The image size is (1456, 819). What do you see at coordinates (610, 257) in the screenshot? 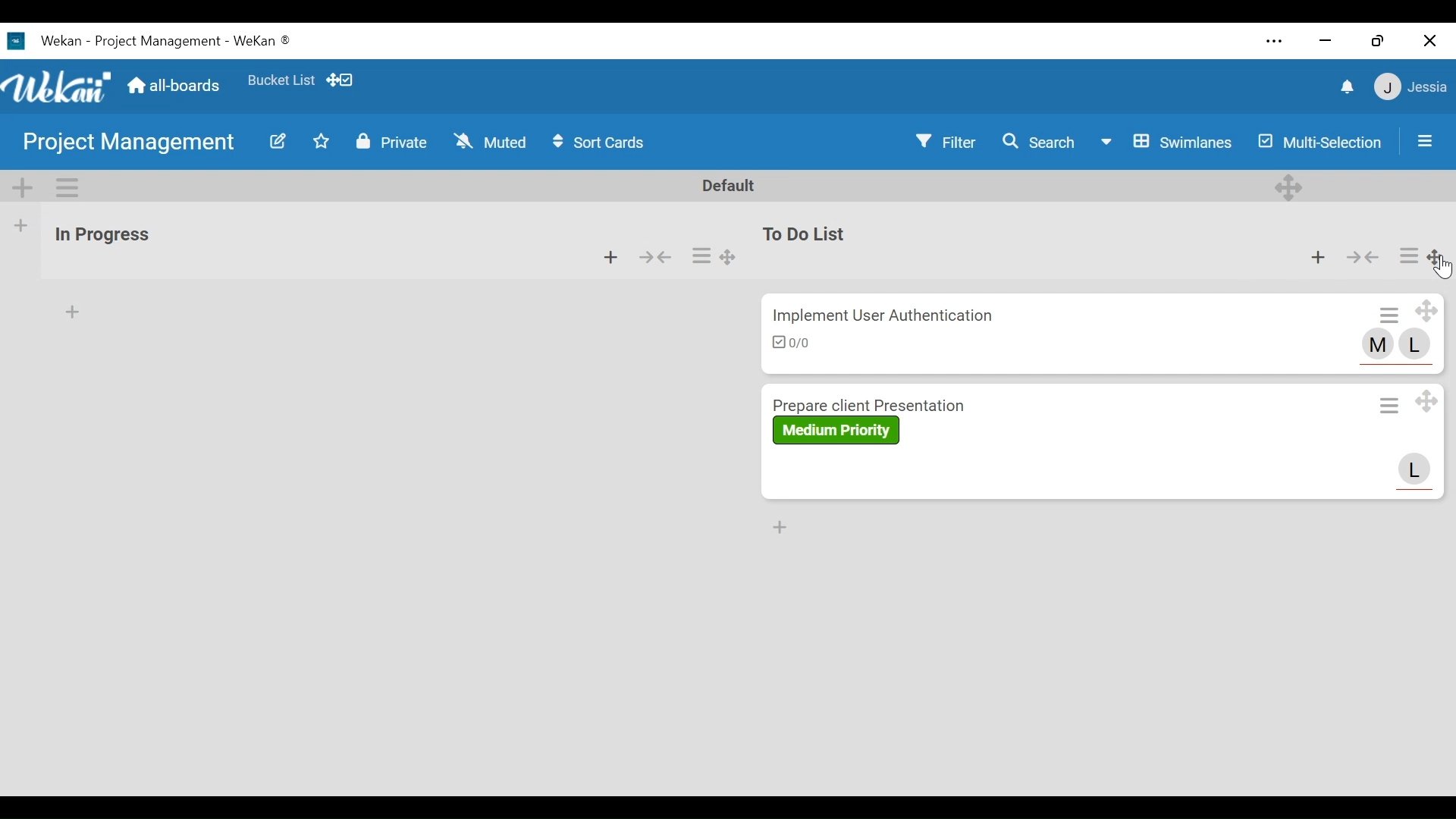
I see `Add card to the top of list` at bounding box center [610, 257].